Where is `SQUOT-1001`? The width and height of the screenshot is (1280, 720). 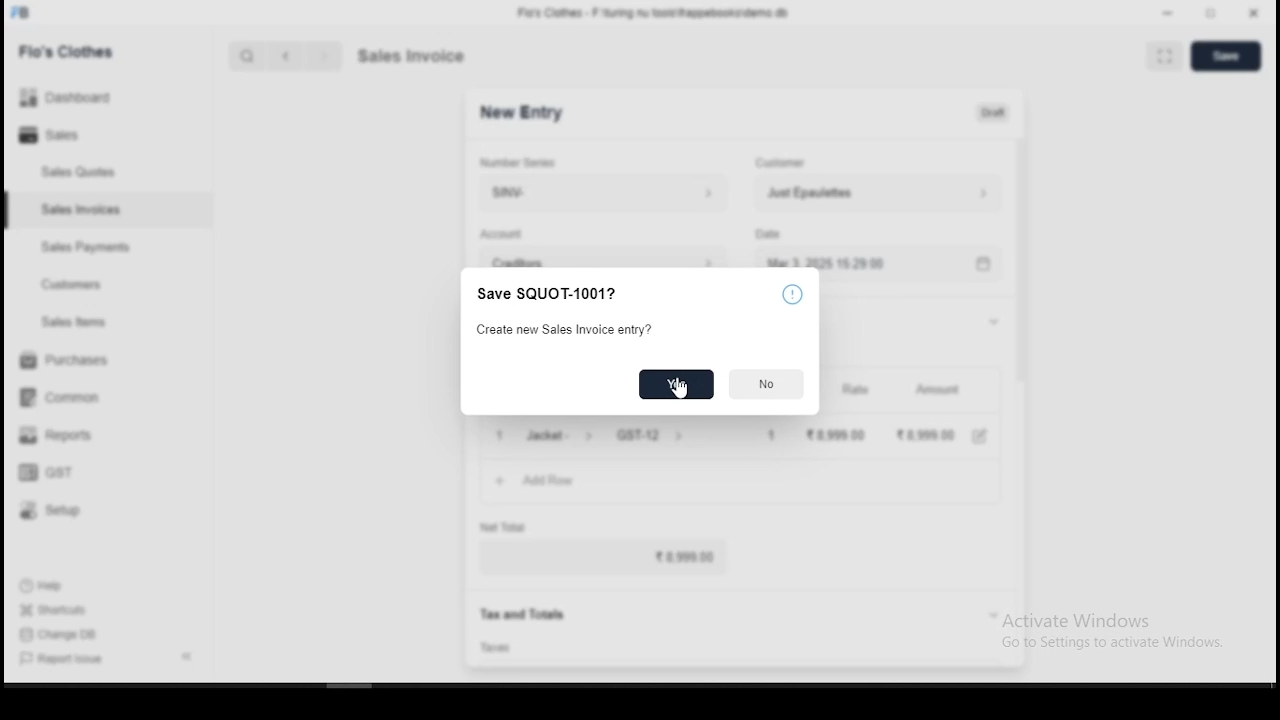
SQUOT-1001 is located at coordinates (540, 109).